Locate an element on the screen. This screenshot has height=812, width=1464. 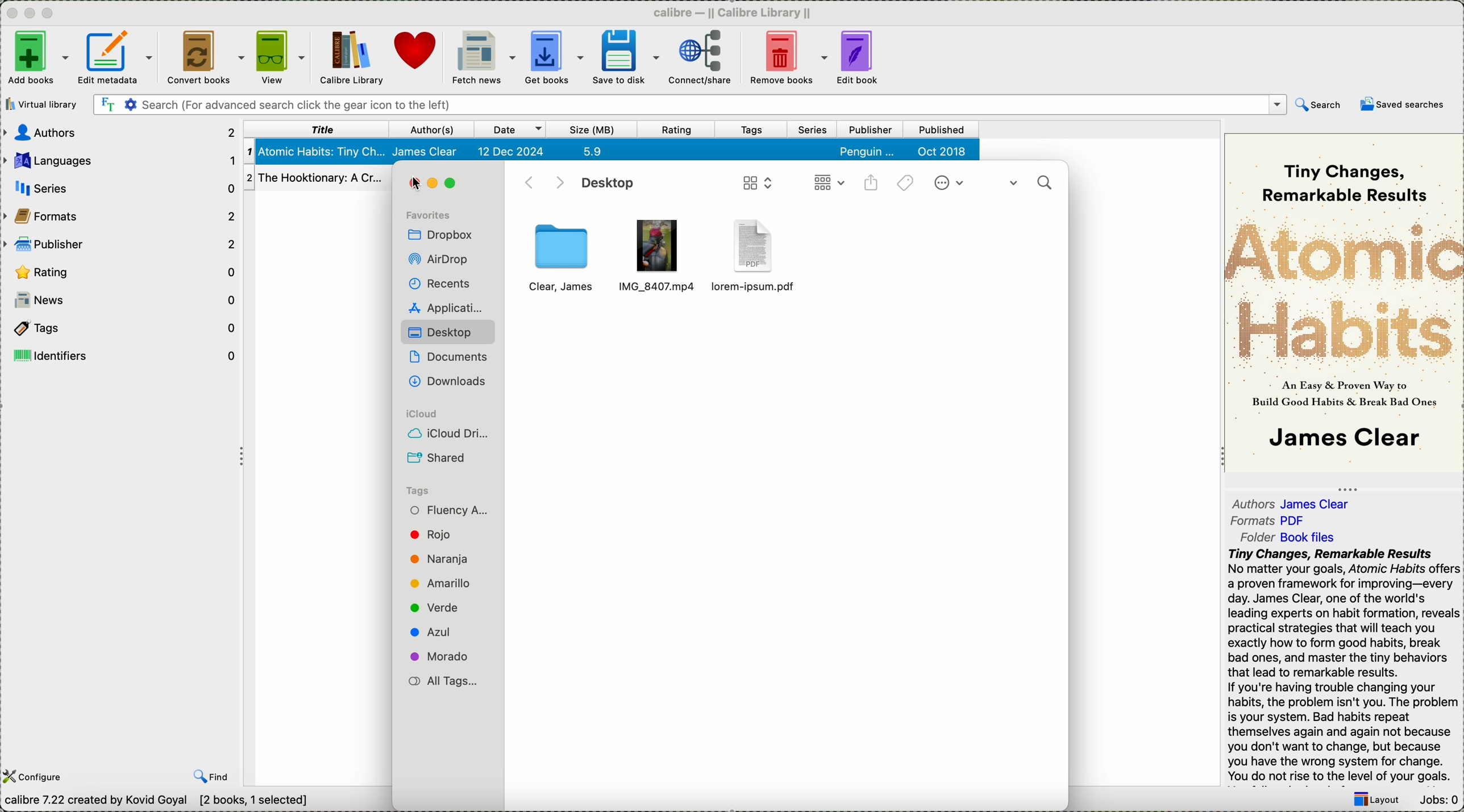
convert books is located at coordinates (204, 55).